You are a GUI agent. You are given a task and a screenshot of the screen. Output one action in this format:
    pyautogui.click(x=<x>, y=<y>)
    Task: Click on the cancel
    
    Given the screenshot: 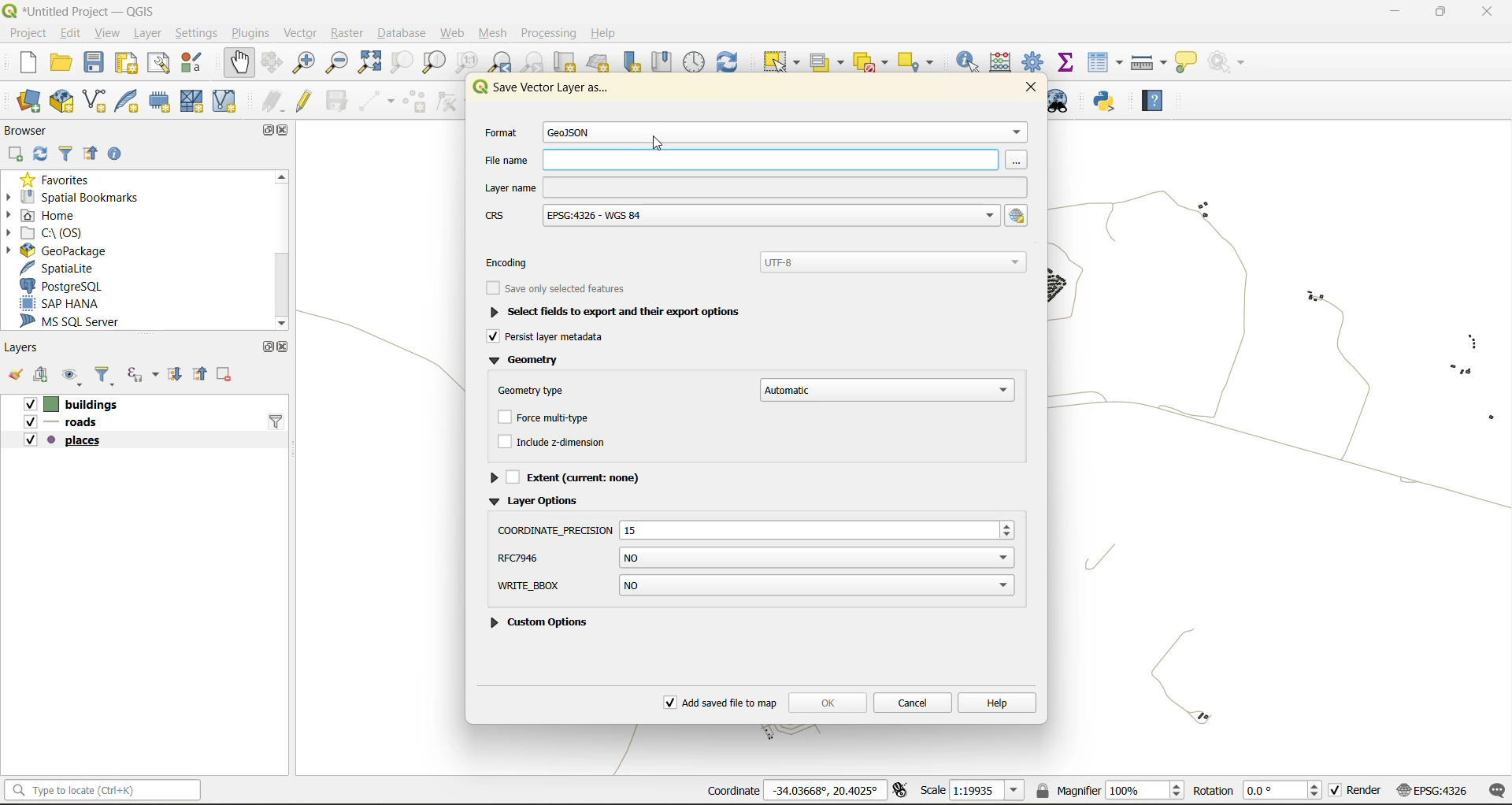 What is the action you would take?
    pyautogui.click(x=915, y=703)
    